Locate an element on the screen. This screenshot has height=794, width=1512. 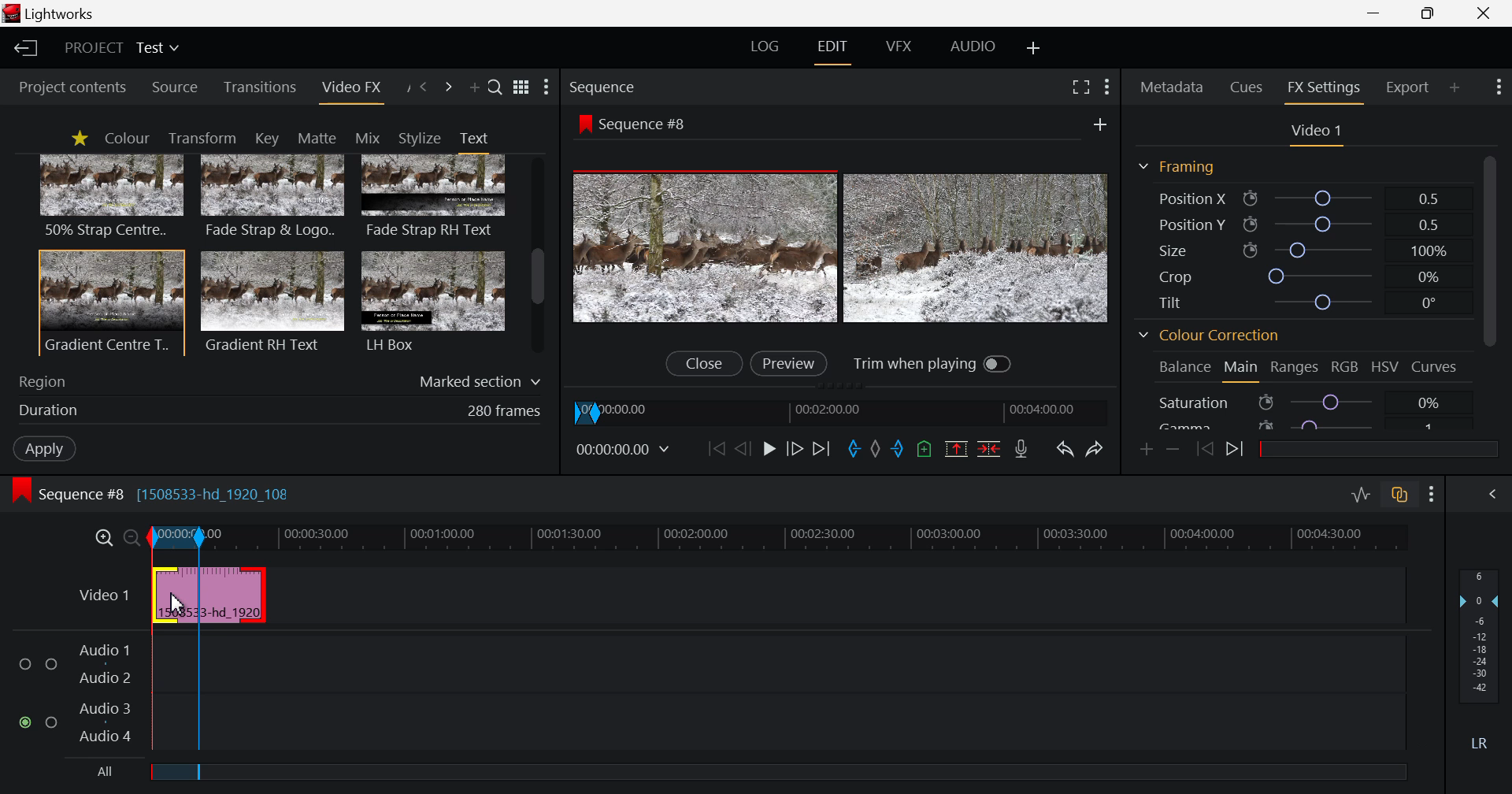
Saturation is located at coordinates (1298, 402).